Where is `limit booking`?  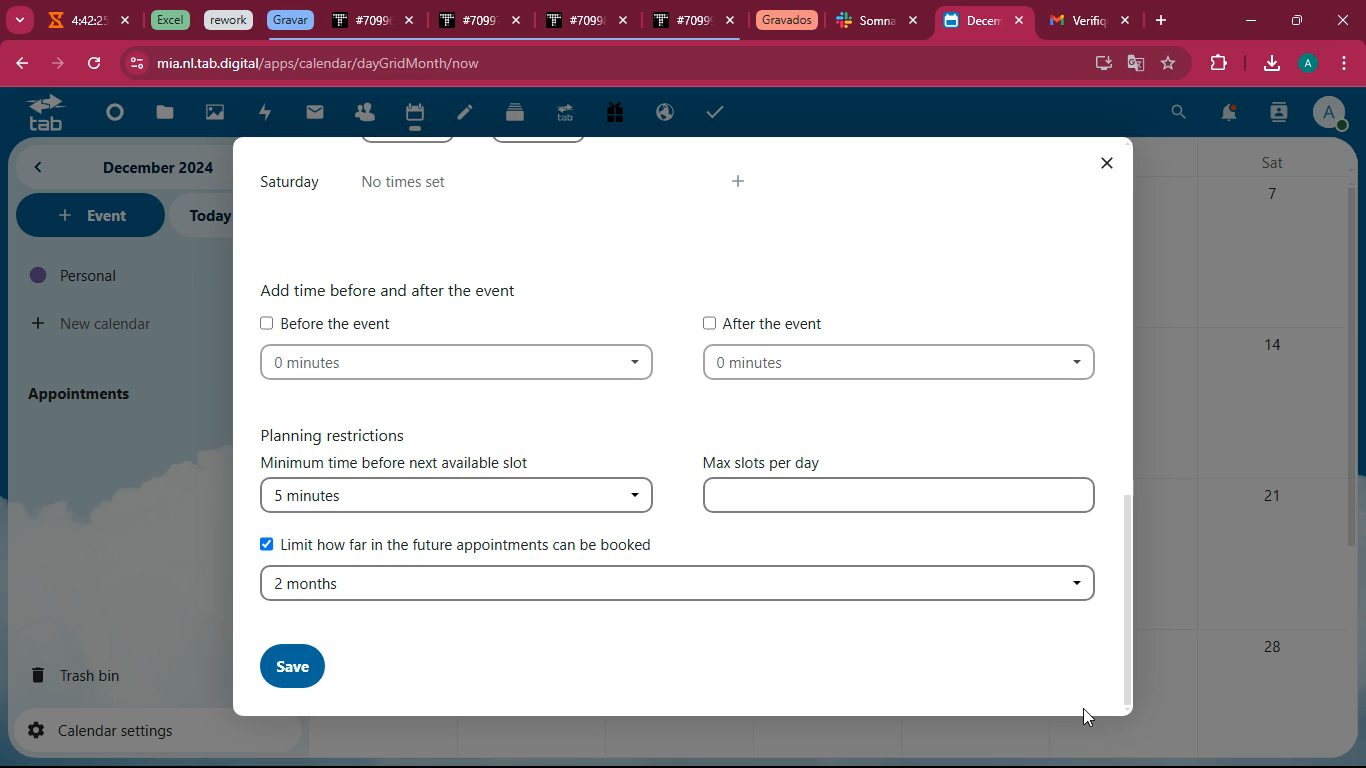 limit booking is located at coordinates (461, 542).